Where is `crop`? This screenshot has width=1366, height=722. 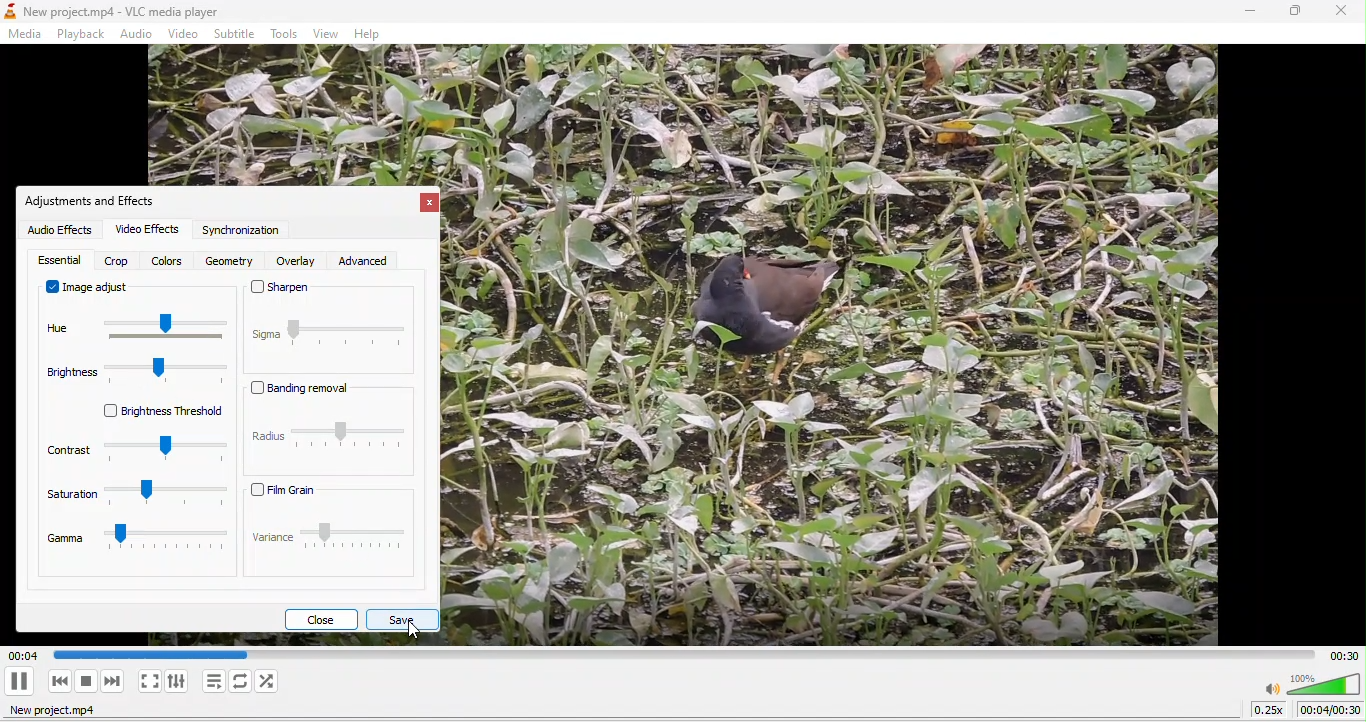 crop is located at coordinates (116, 262).